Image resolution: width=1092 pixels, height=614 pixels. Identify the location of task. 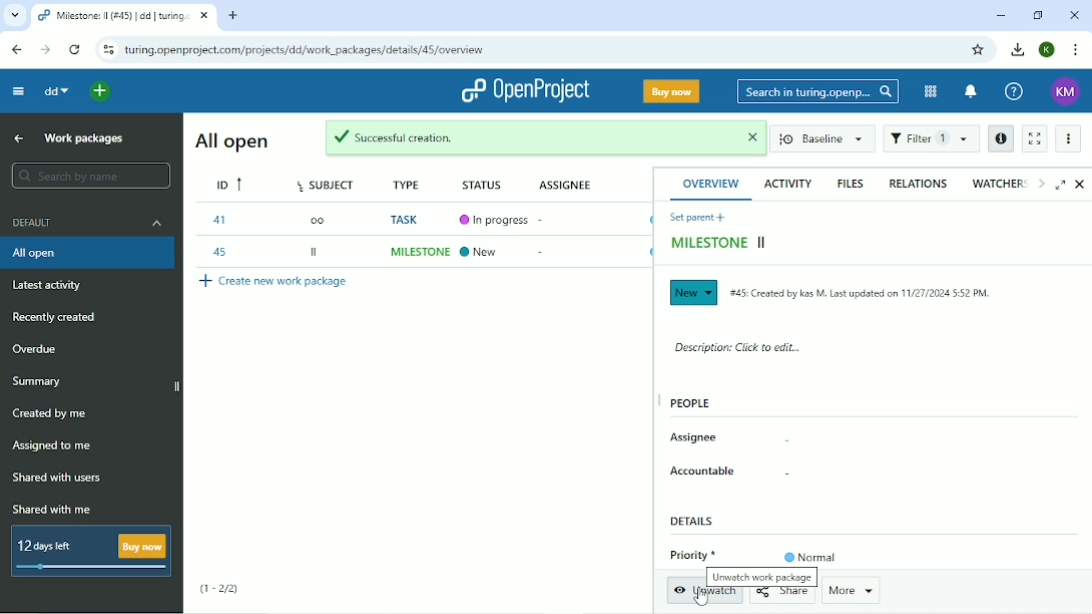
(407, 221).